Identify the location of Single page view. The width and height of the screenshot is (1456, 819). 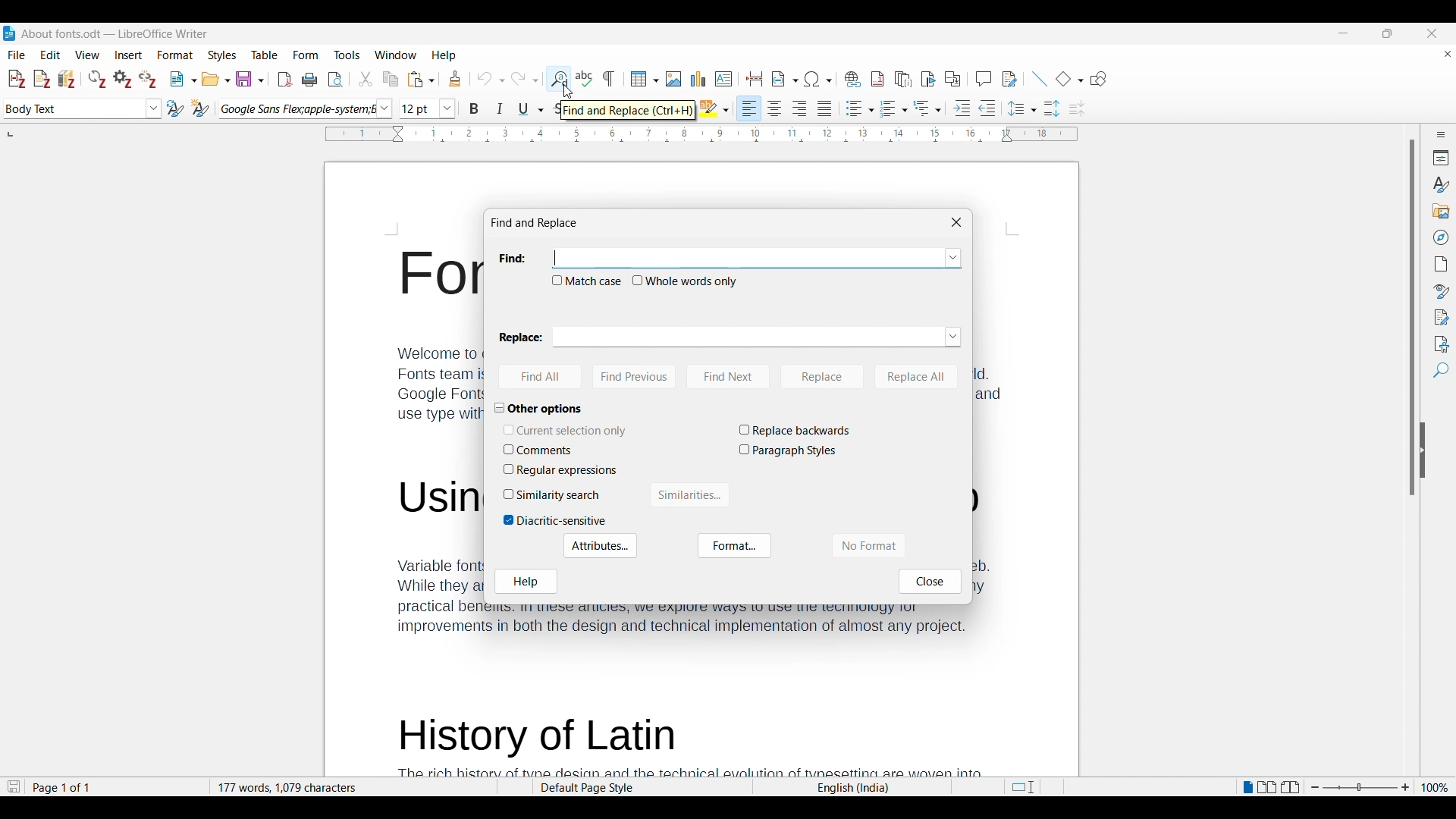
(1247, 788).